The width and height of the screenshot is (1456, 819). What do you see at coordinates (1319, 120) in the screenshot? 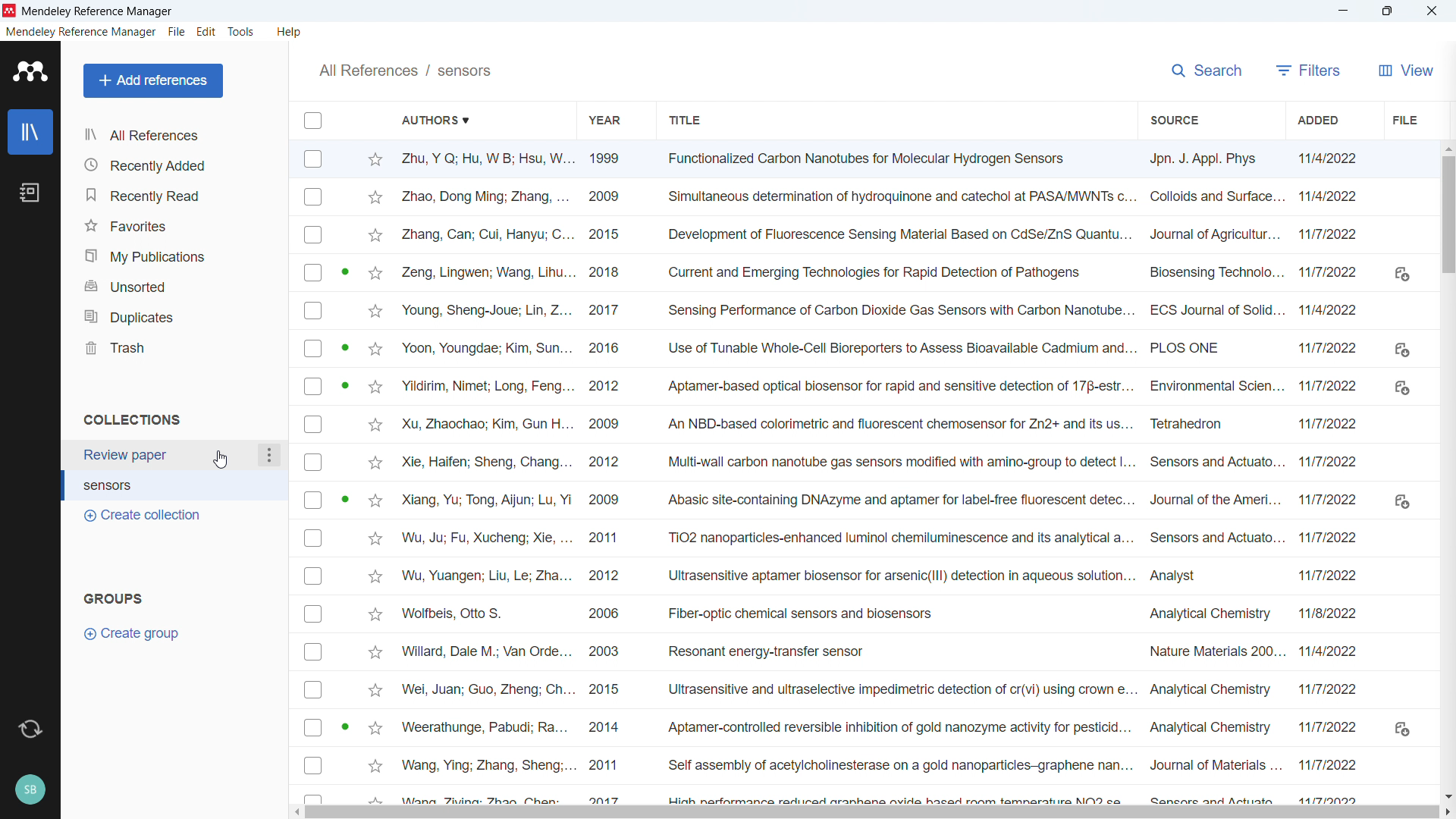
I see `Sort by date added ` at bounding box center [1319, 120].